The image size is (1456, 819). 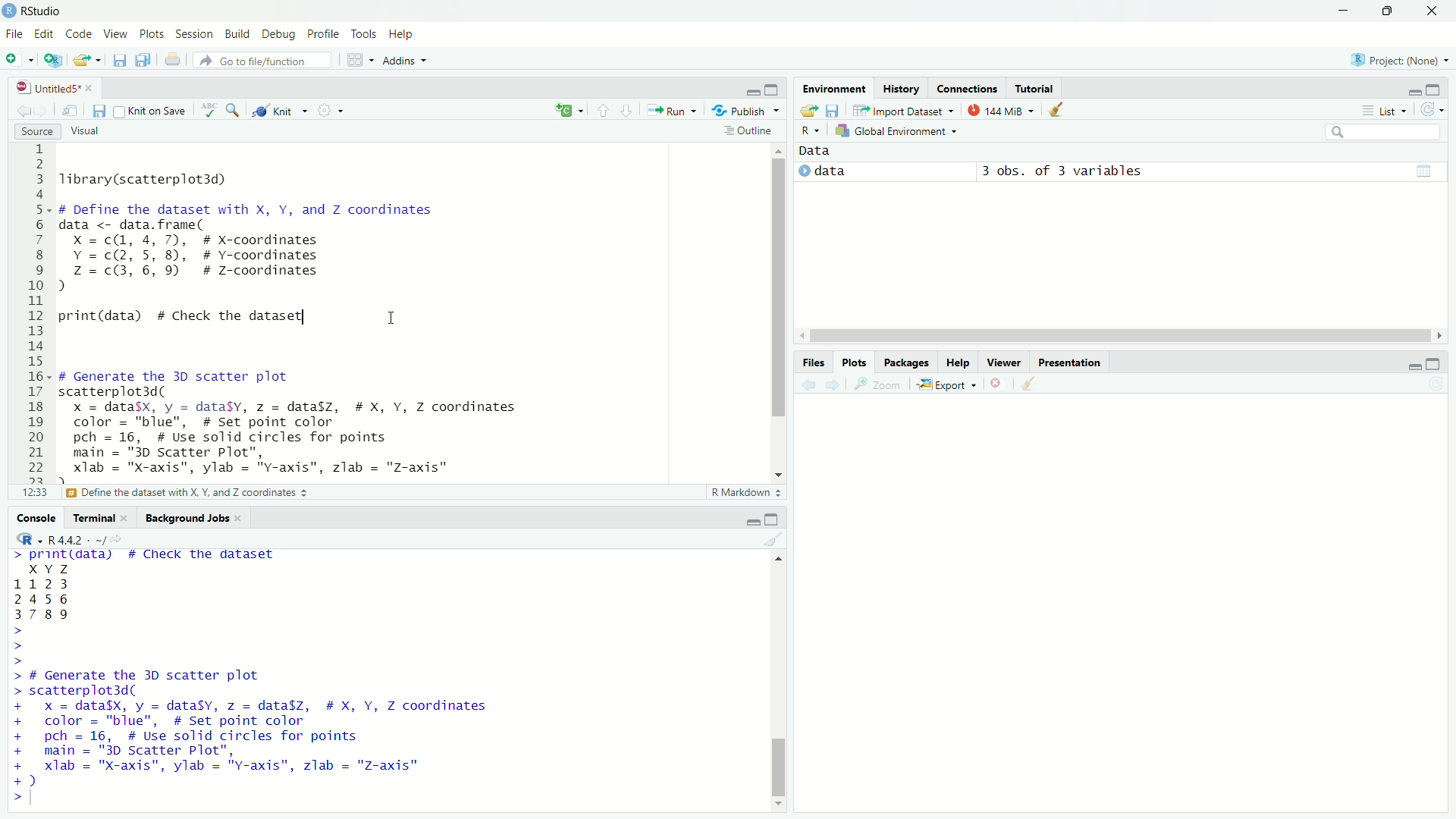 I want to click on go back to previous source location, so click(x=15, y=110).